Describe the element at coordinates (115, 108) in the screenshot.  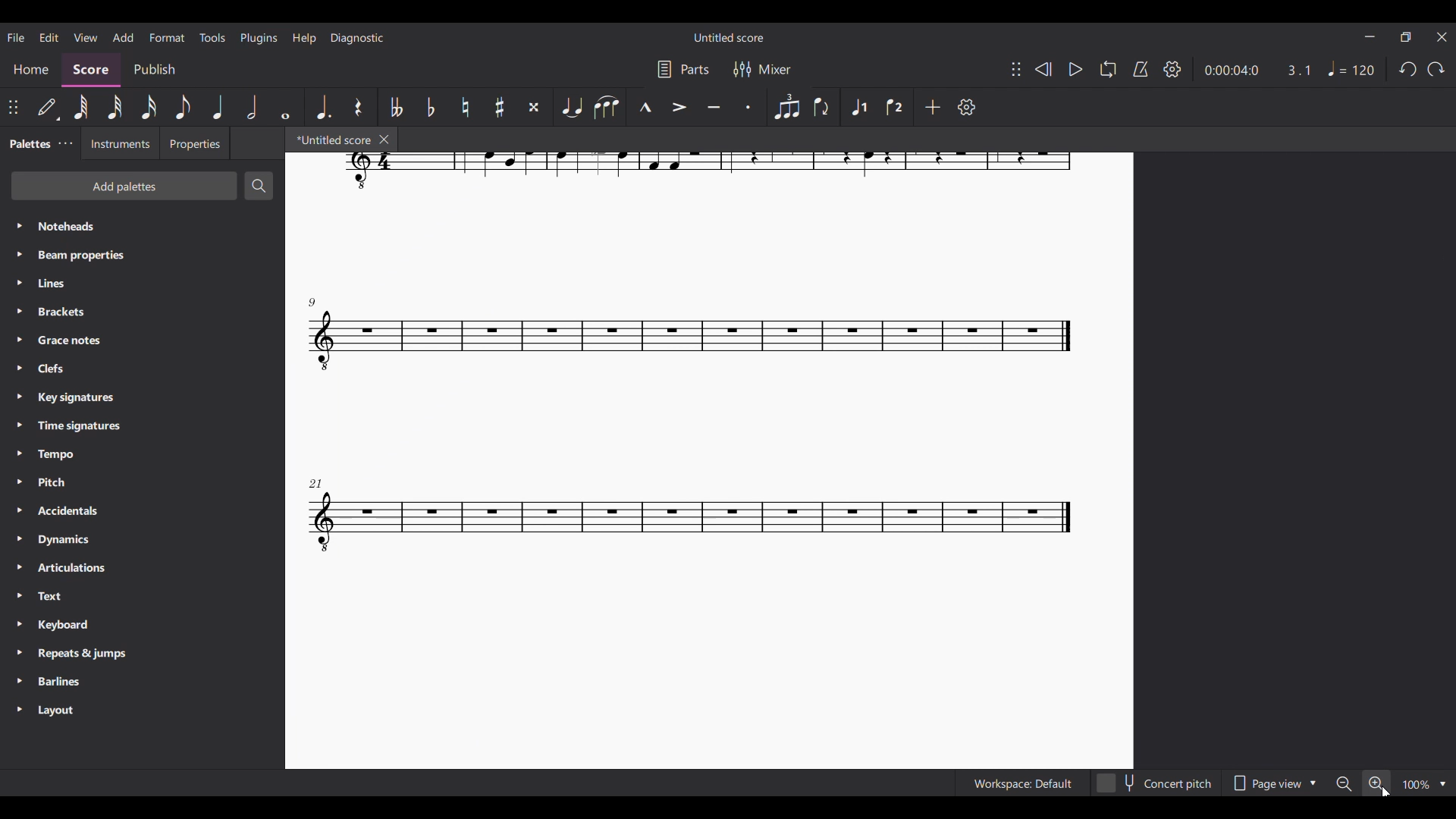
I see `32nd note` at that location.